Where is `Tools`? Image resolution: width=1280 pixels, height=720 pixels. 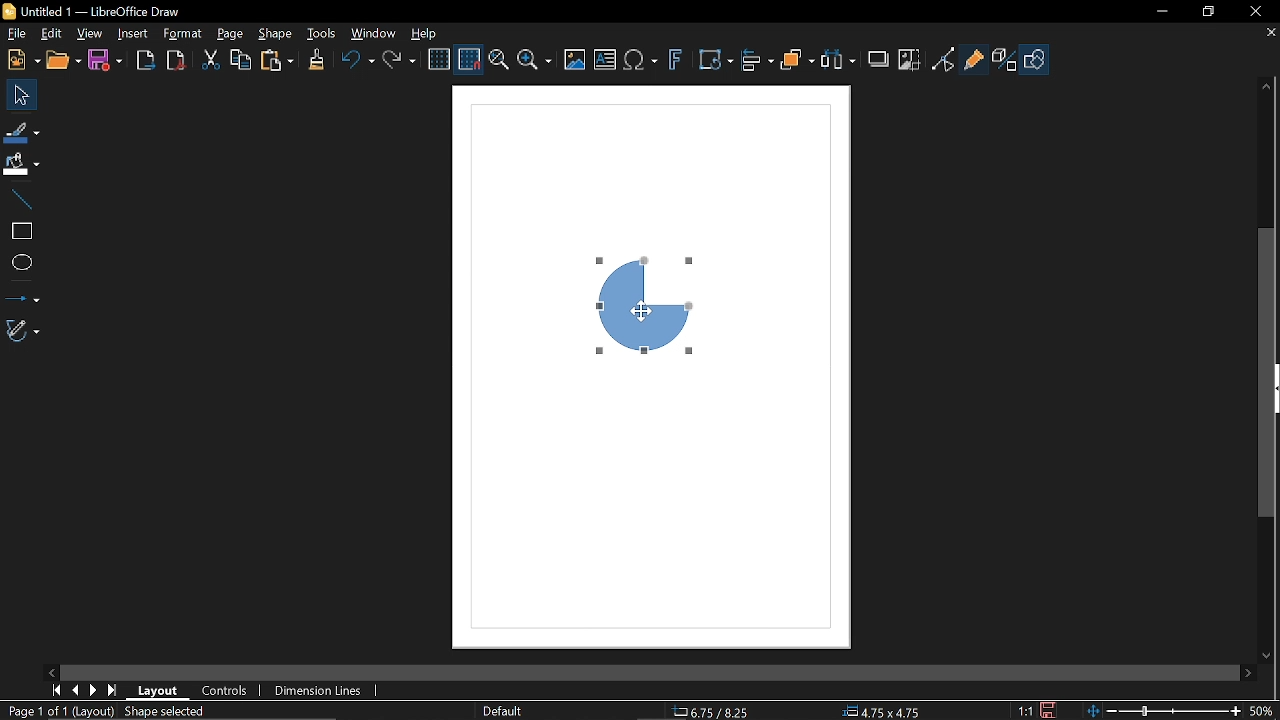 Tools is located at coordinates (321, 33).